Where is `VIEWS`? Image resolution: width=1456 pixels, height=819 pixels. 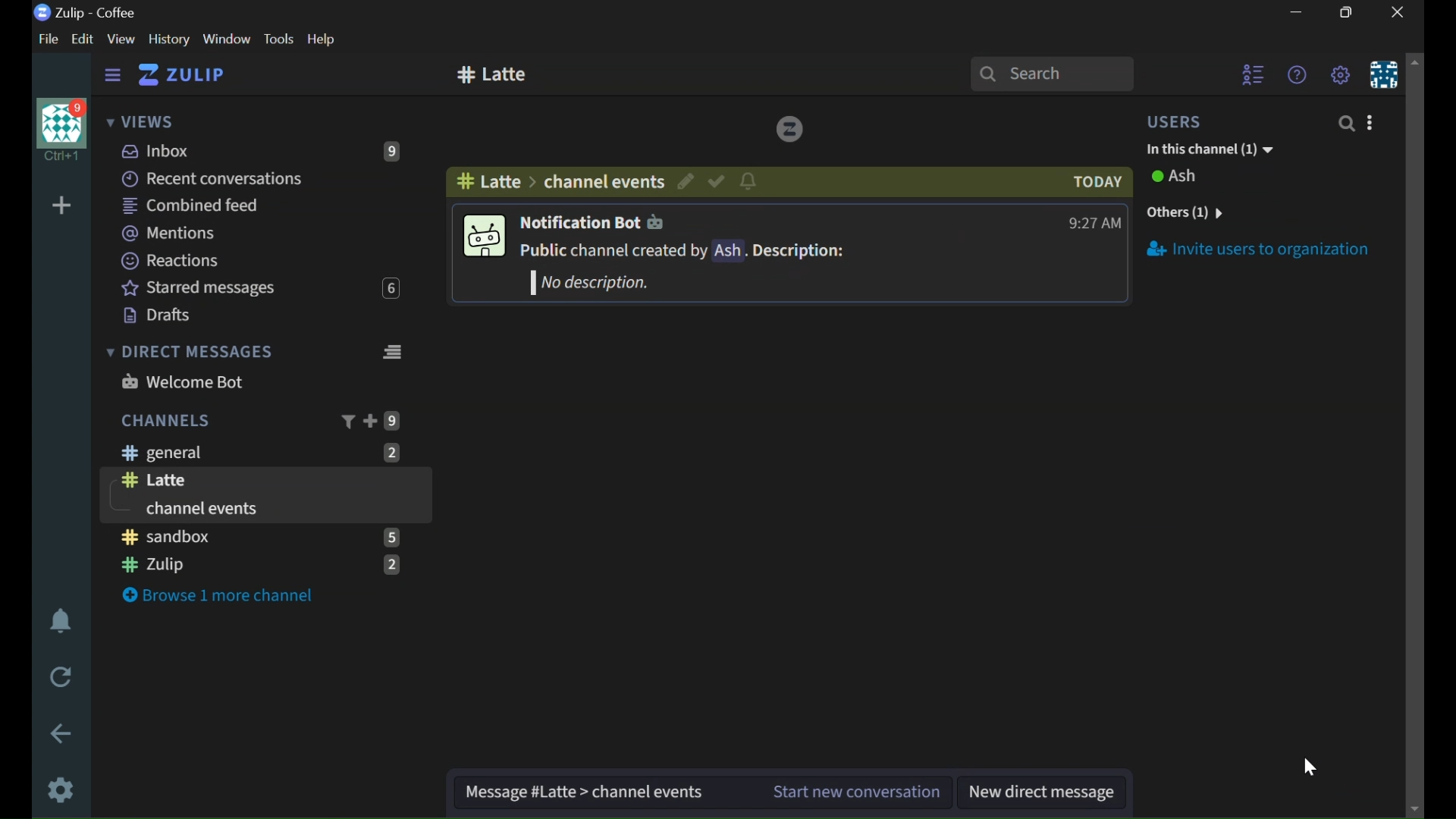
VIEWS is located at coordinates (140, 118).